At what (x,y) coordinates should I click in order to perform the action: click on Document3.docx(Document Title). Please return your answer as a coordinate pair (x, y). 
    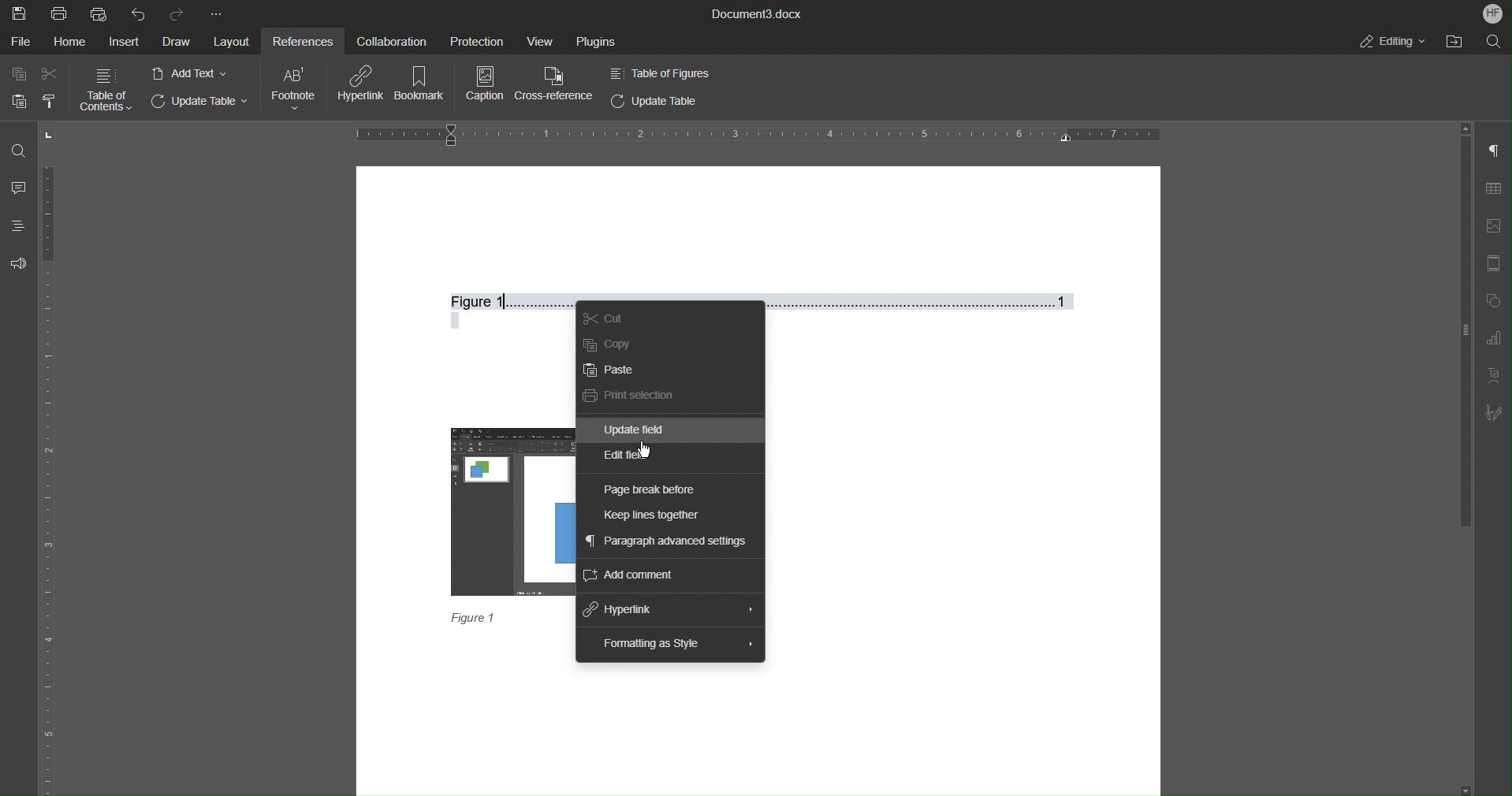
    Looking at the image, I should click on (755, 13).